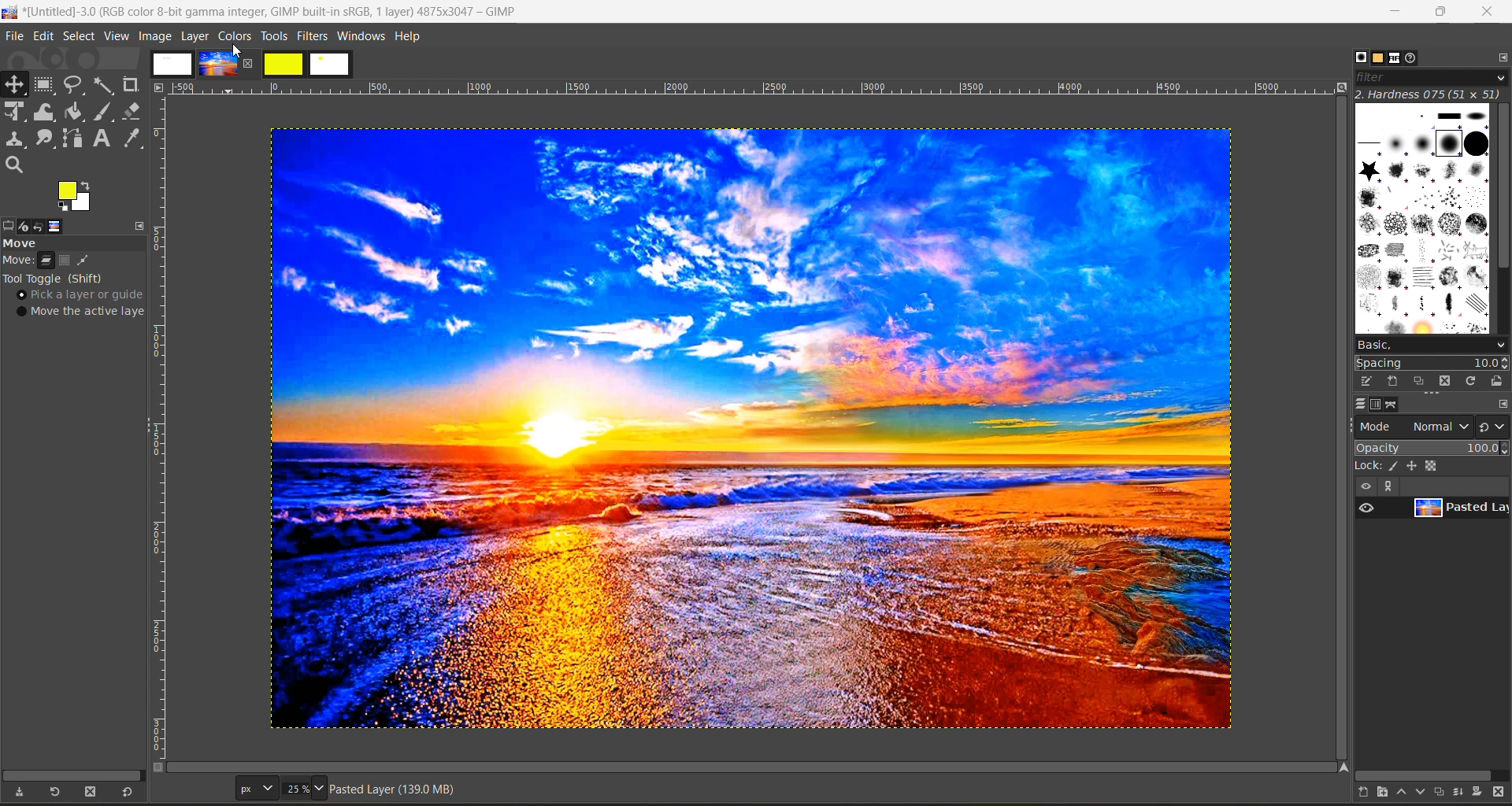 This screenshot has height=806, width=1512. What do you see at coordinates (1360, 404) in the screenshot?
I see `layers` at bounding box center [1360, 404].